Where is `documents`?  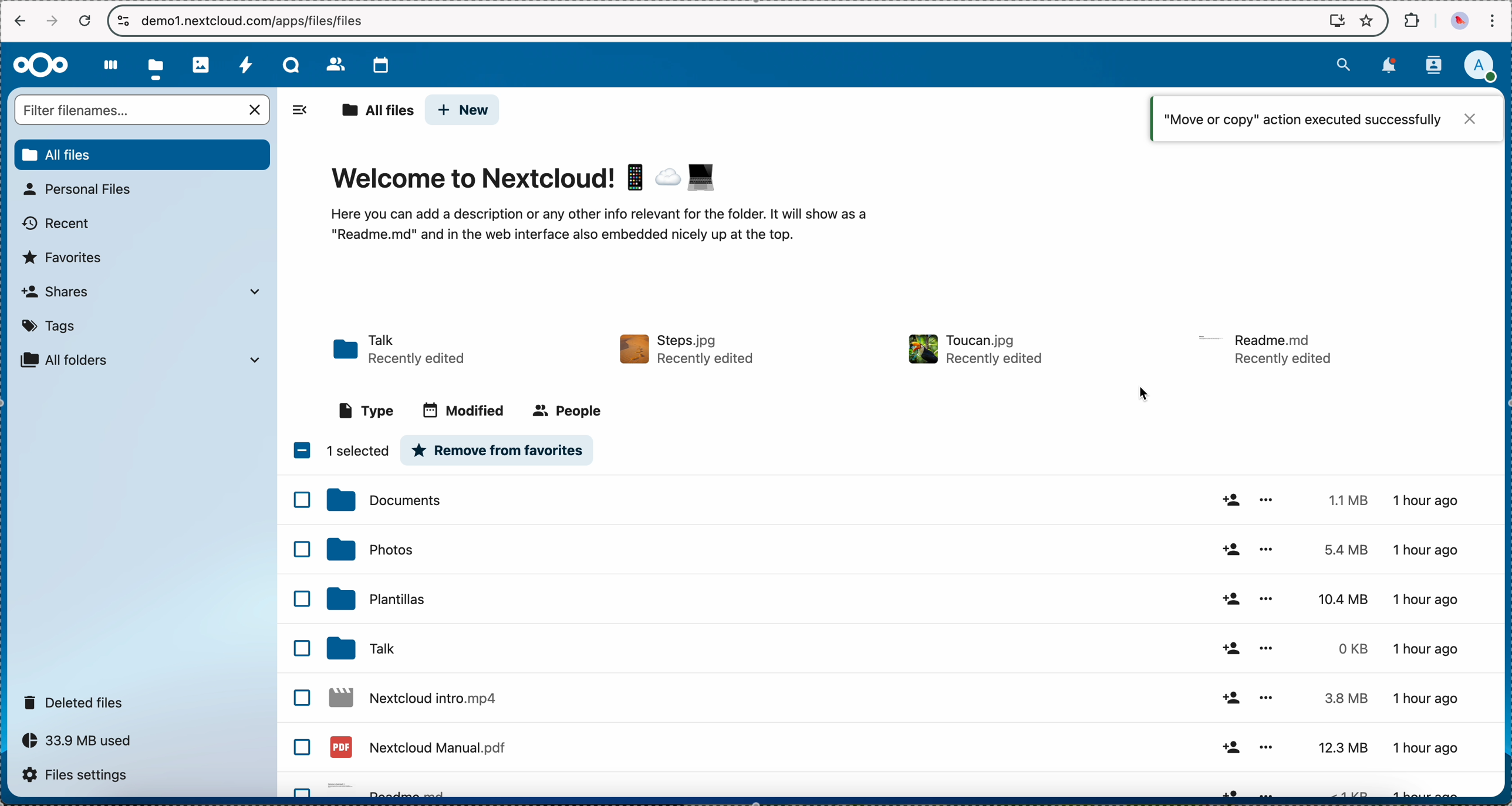 documents is located at coordinates (896, 499).